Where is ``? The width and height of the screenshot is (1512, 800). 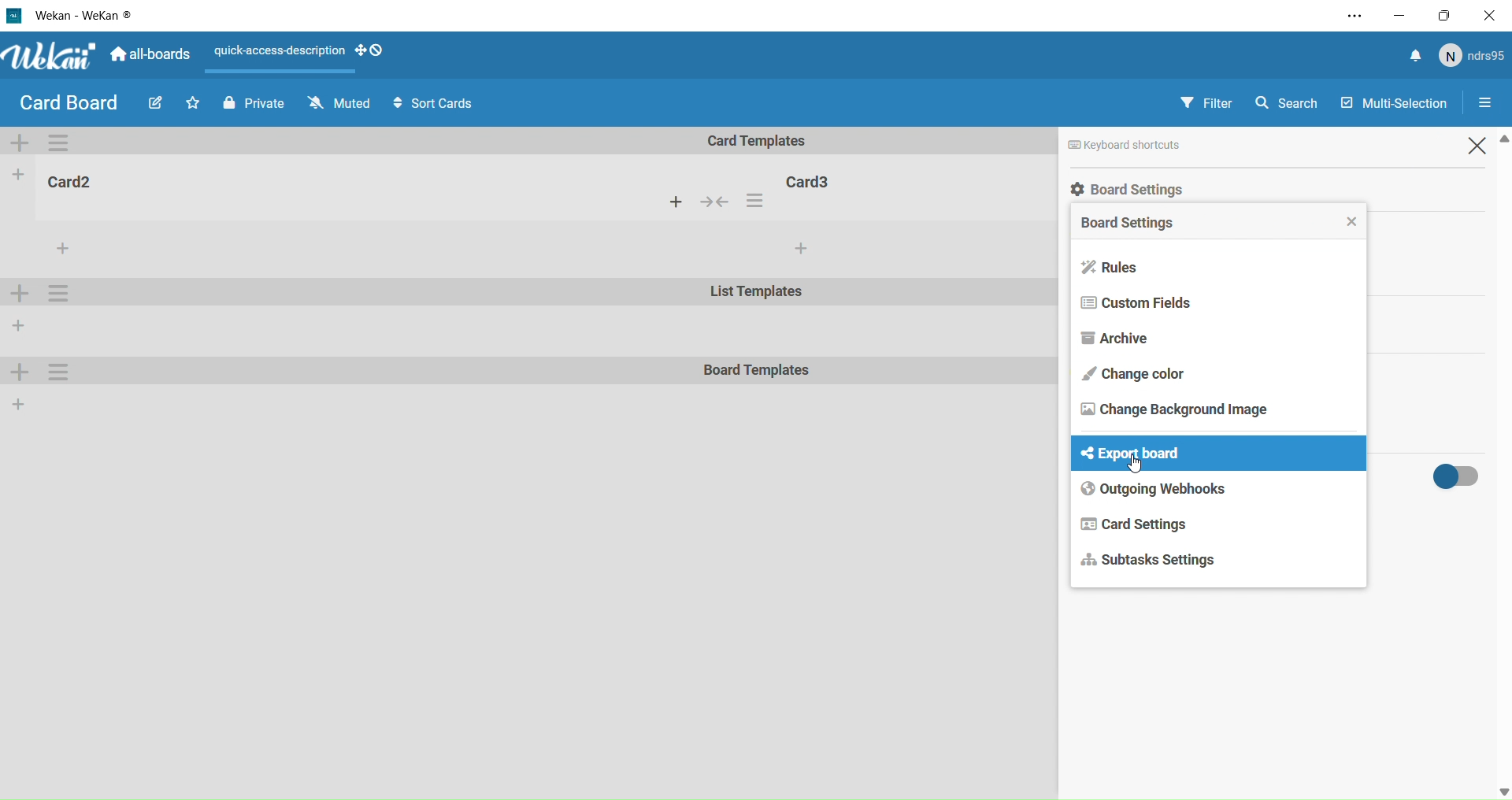
 is located at coordinates (57, 143).